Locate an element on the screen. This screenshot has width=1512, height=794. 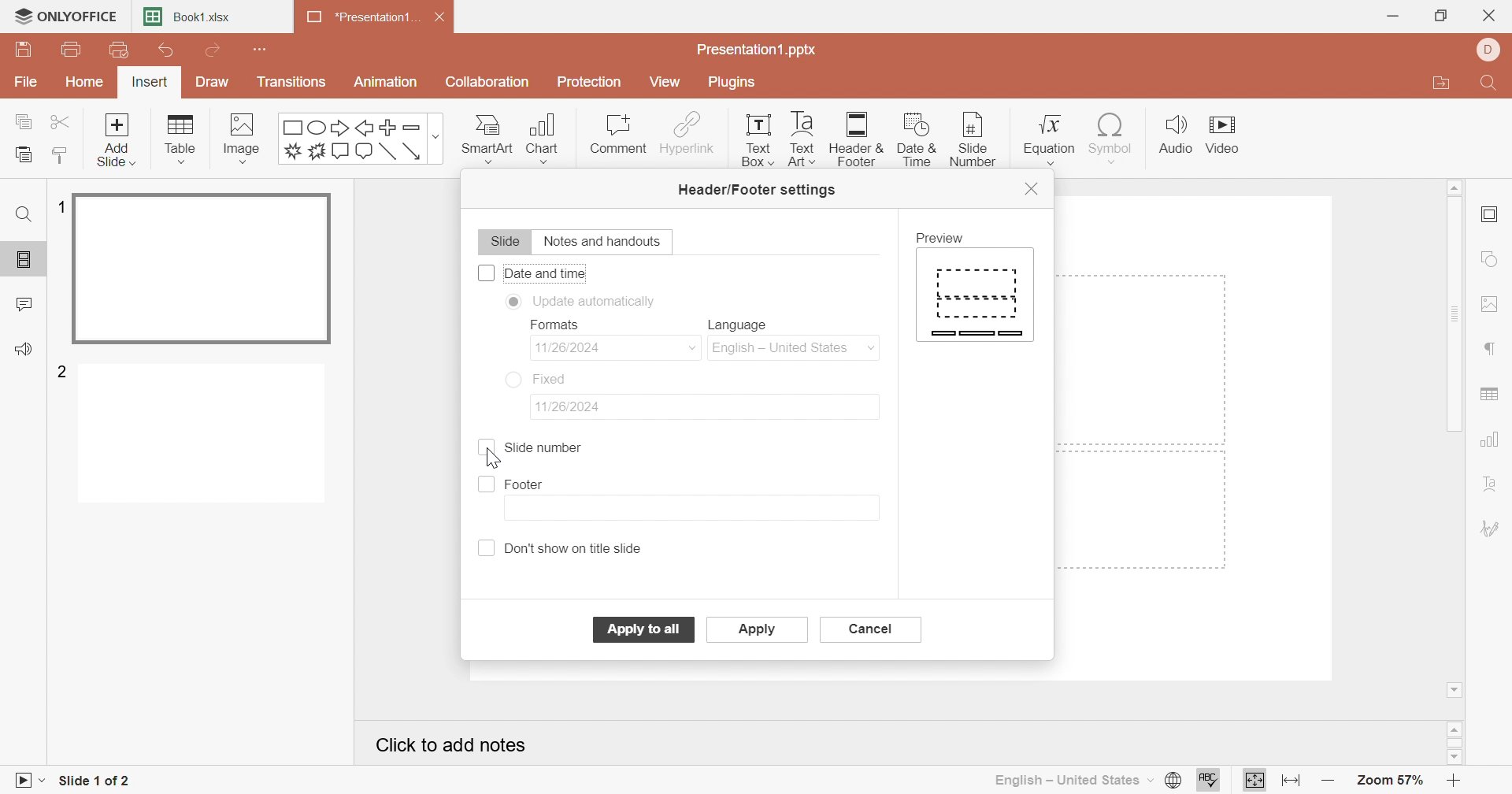
Scroll Down is located at coordinates (1451, 755).